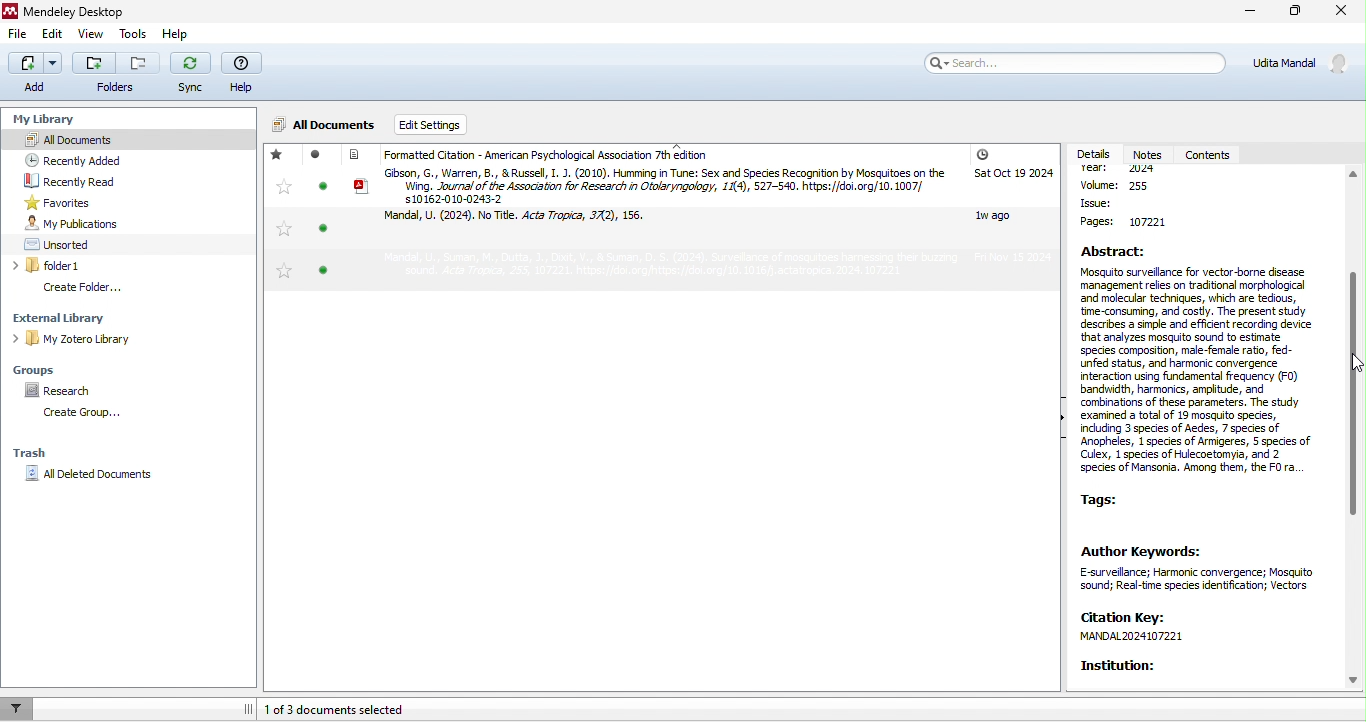 This screenshot has width=1366, height=722. I want to click on institution, so click(1140, 666).